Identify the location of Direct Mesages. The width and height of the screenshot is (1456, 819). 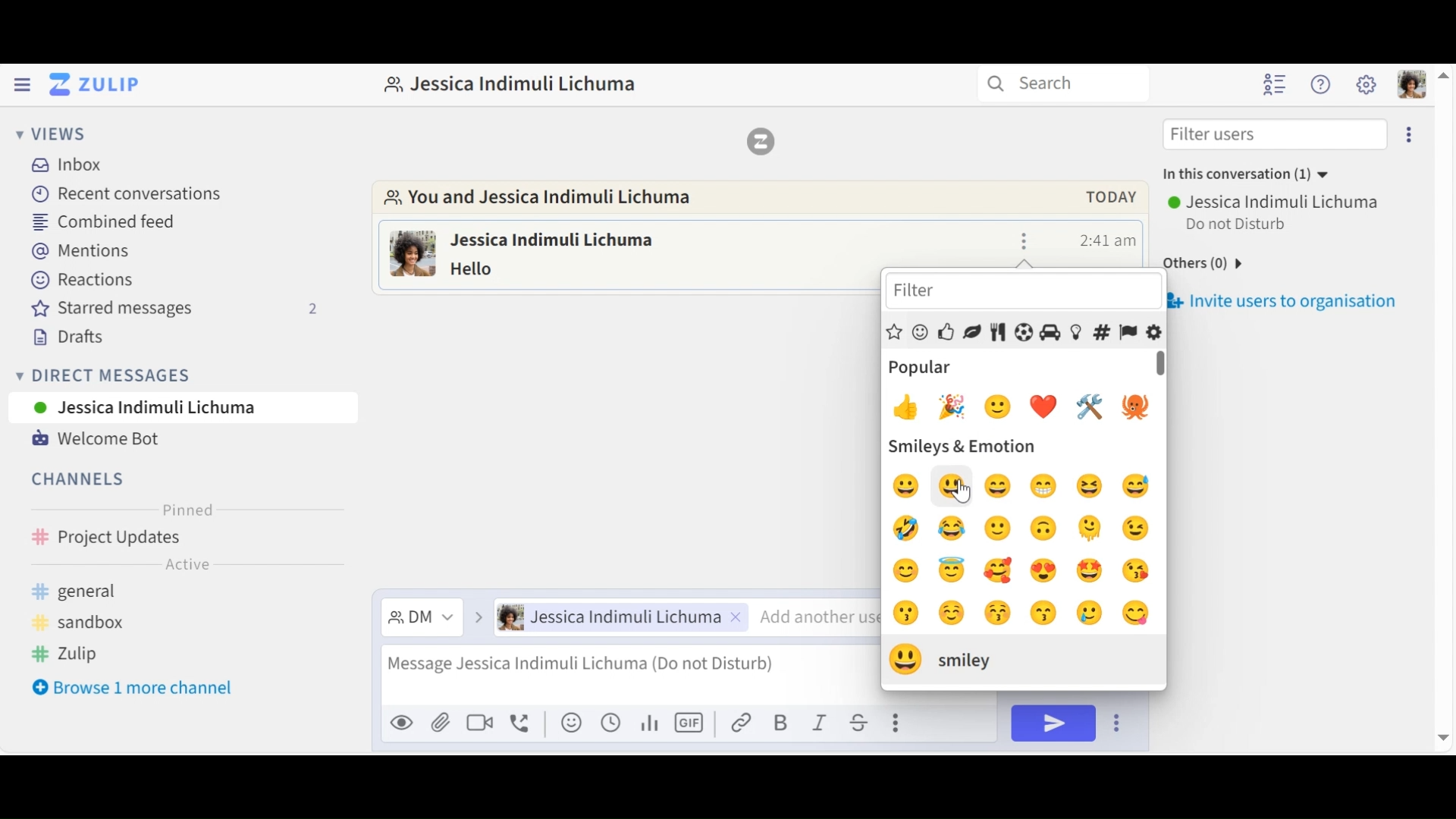
(171, 375).